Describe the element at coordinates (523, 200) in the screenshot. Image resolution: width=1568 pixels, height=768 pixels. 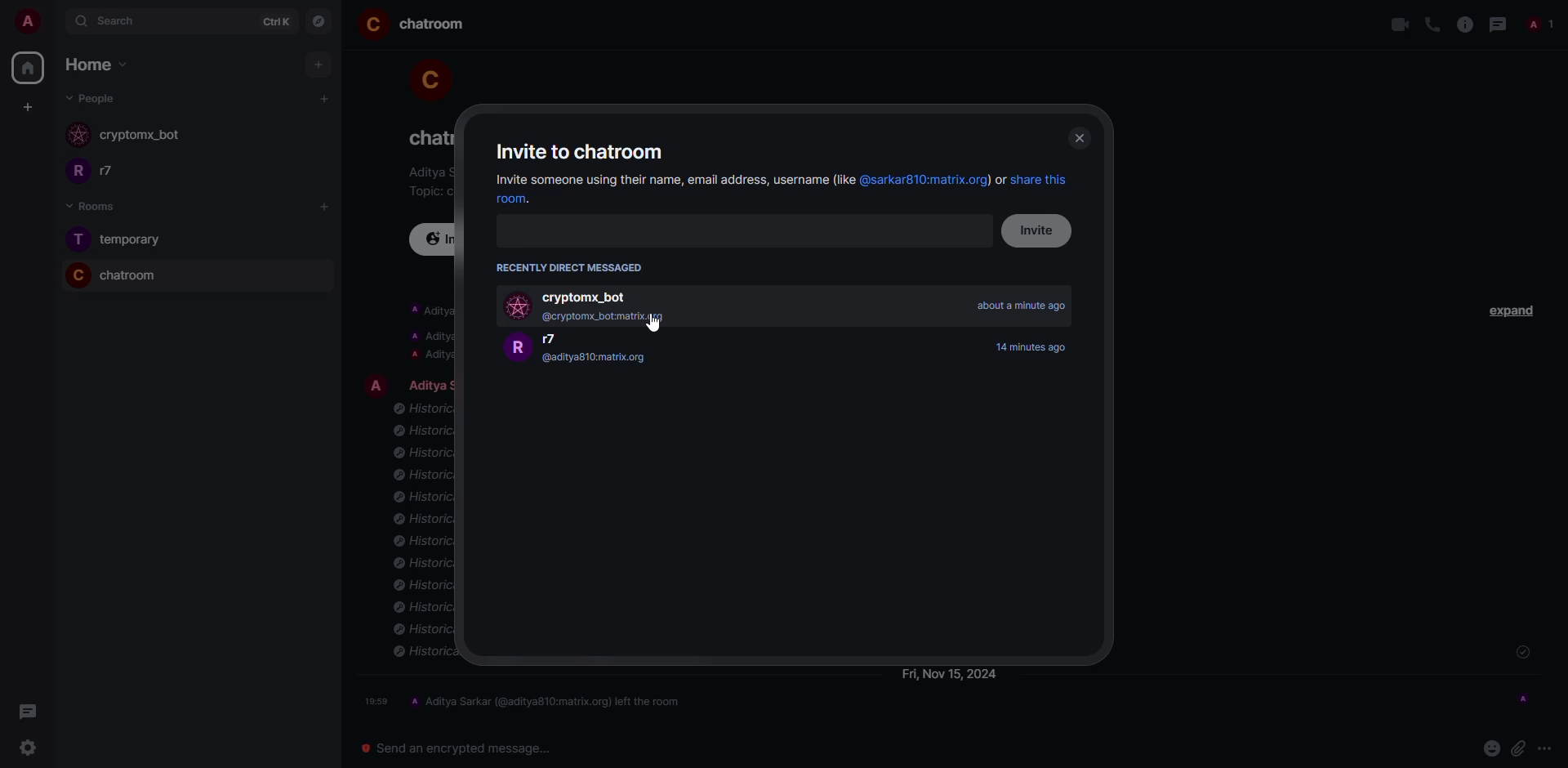
I see `hyperlink` at that location.